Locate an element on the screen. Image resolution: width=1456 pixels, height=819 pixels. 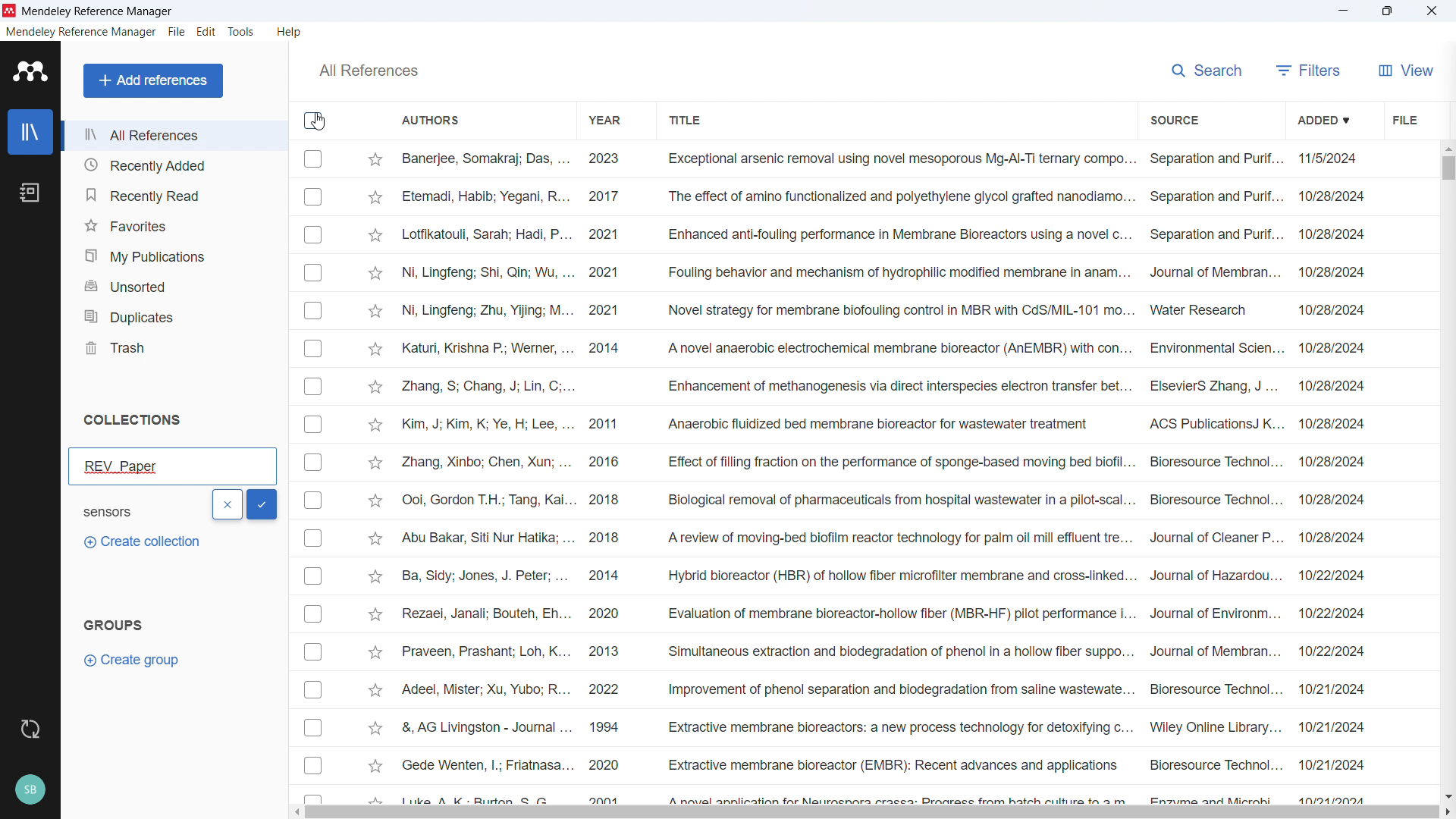
Cursor is located at coordinates (318, 121).